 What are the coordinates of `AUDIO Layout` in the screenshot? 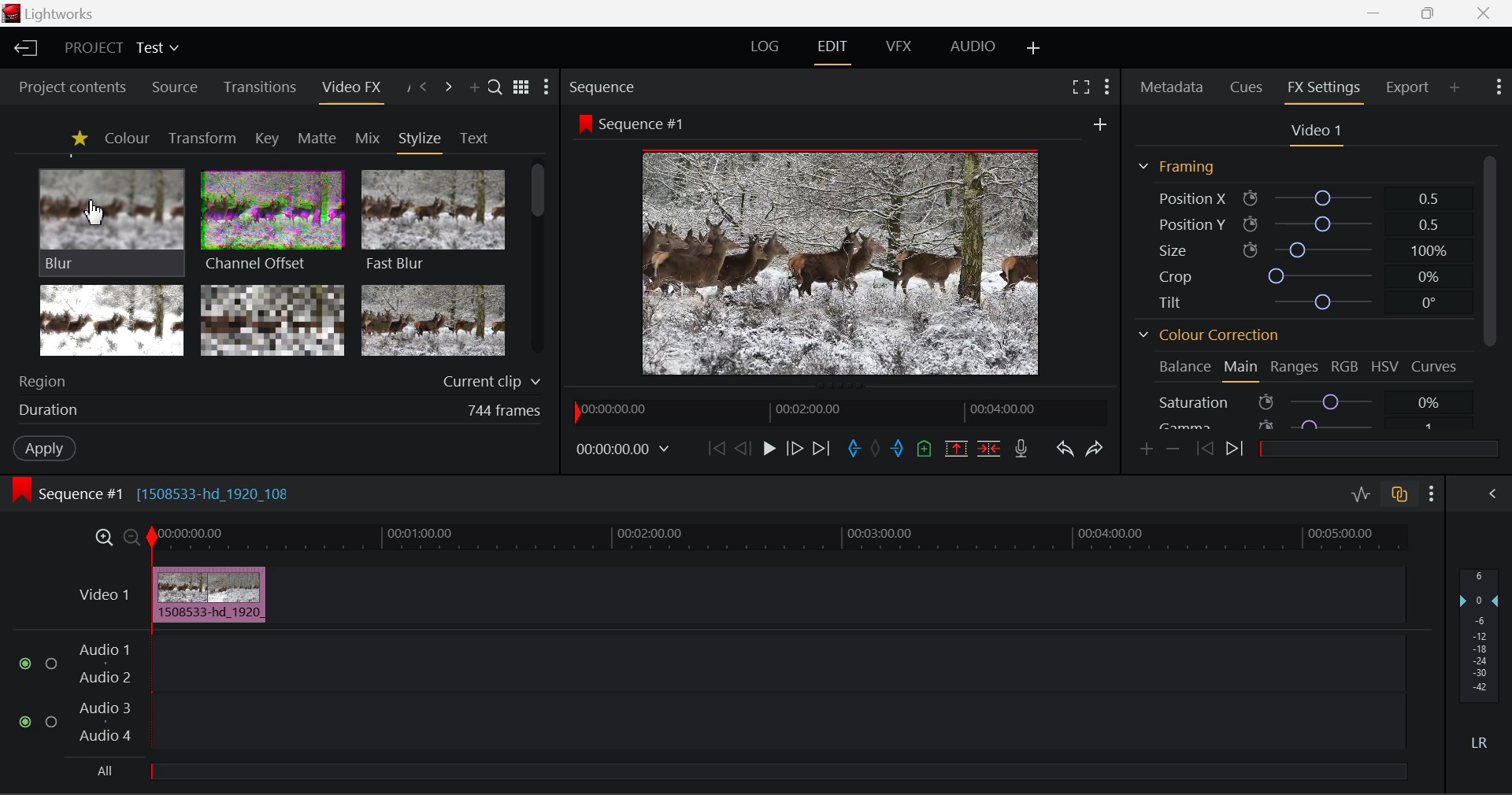 It's located at (972, 47).